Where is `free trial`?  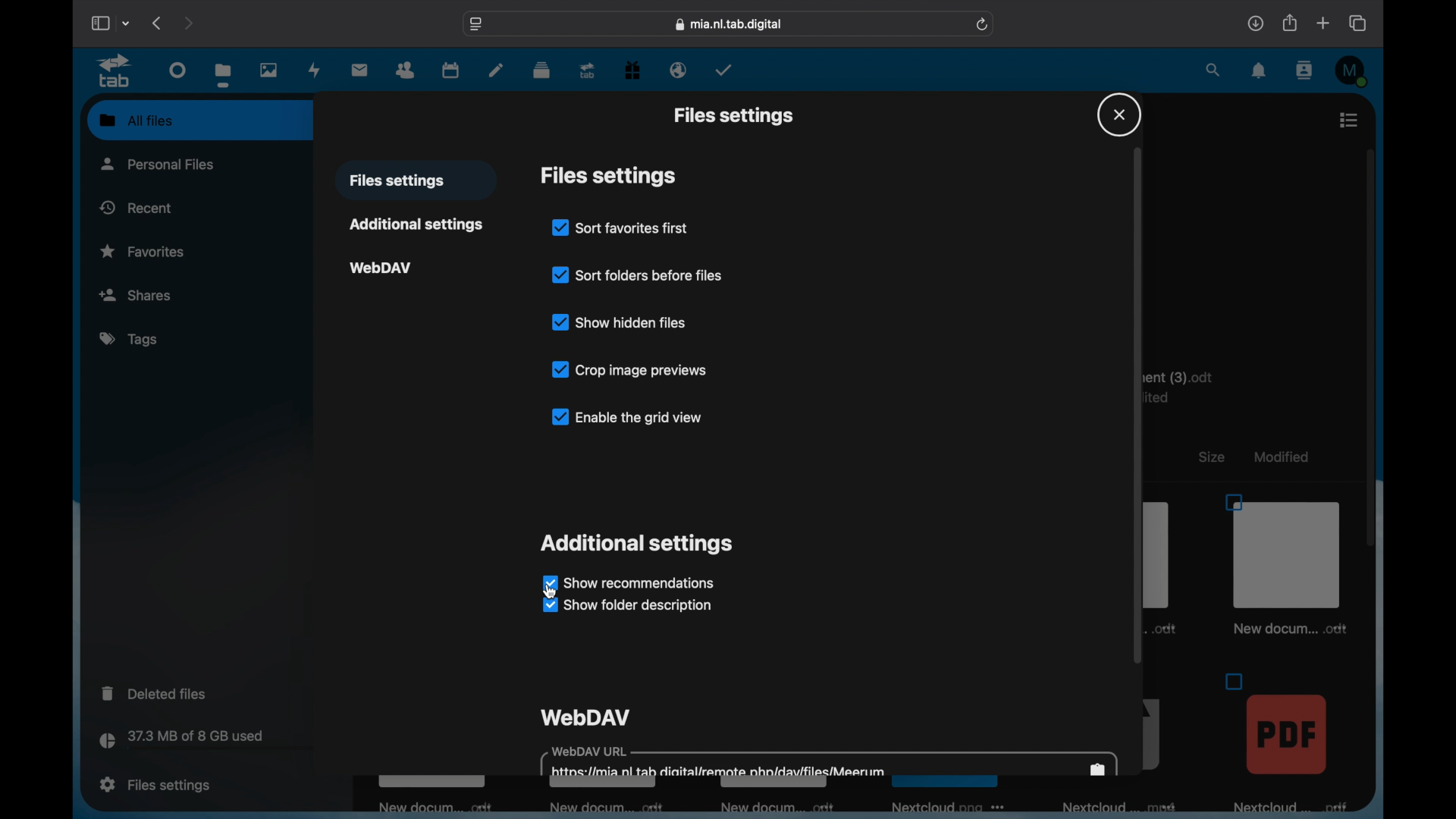 free trial is located at coordinates (632, 71).